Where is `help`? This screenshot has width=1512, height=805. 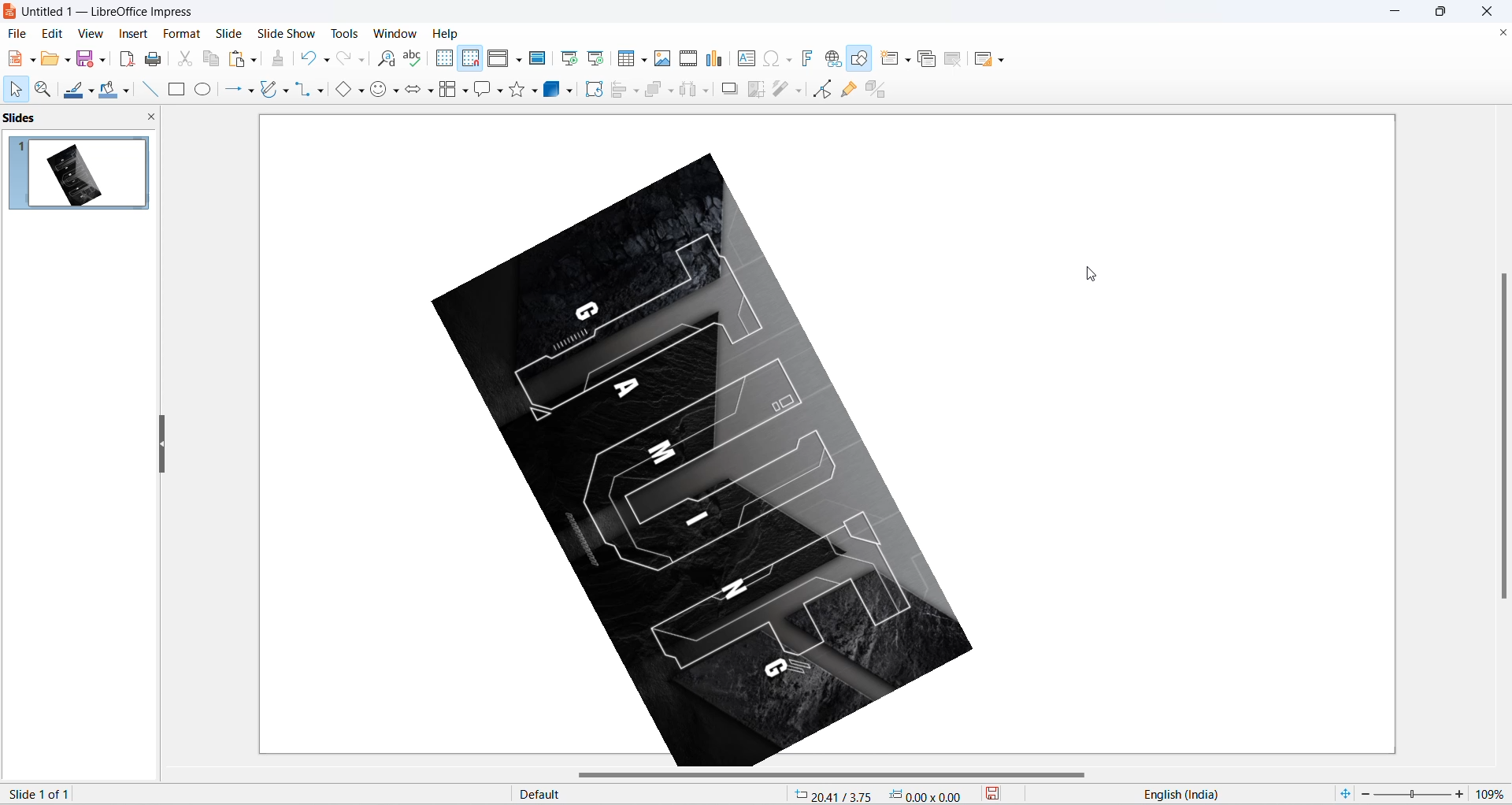
help is located at coordinates (447, 33).